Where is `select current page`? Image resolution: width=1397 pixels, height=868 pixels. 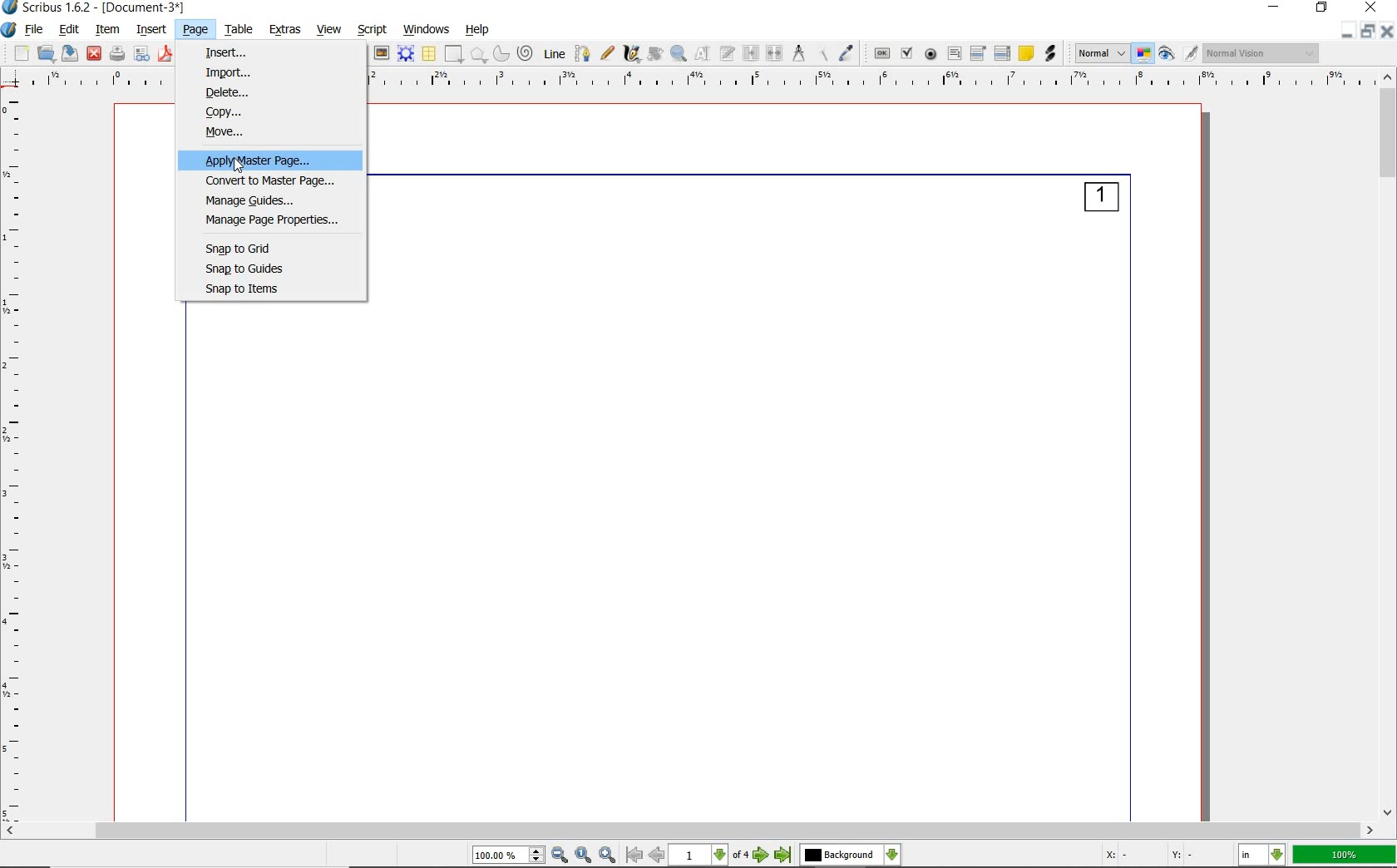
select current page is located at coordinates (708, 856).